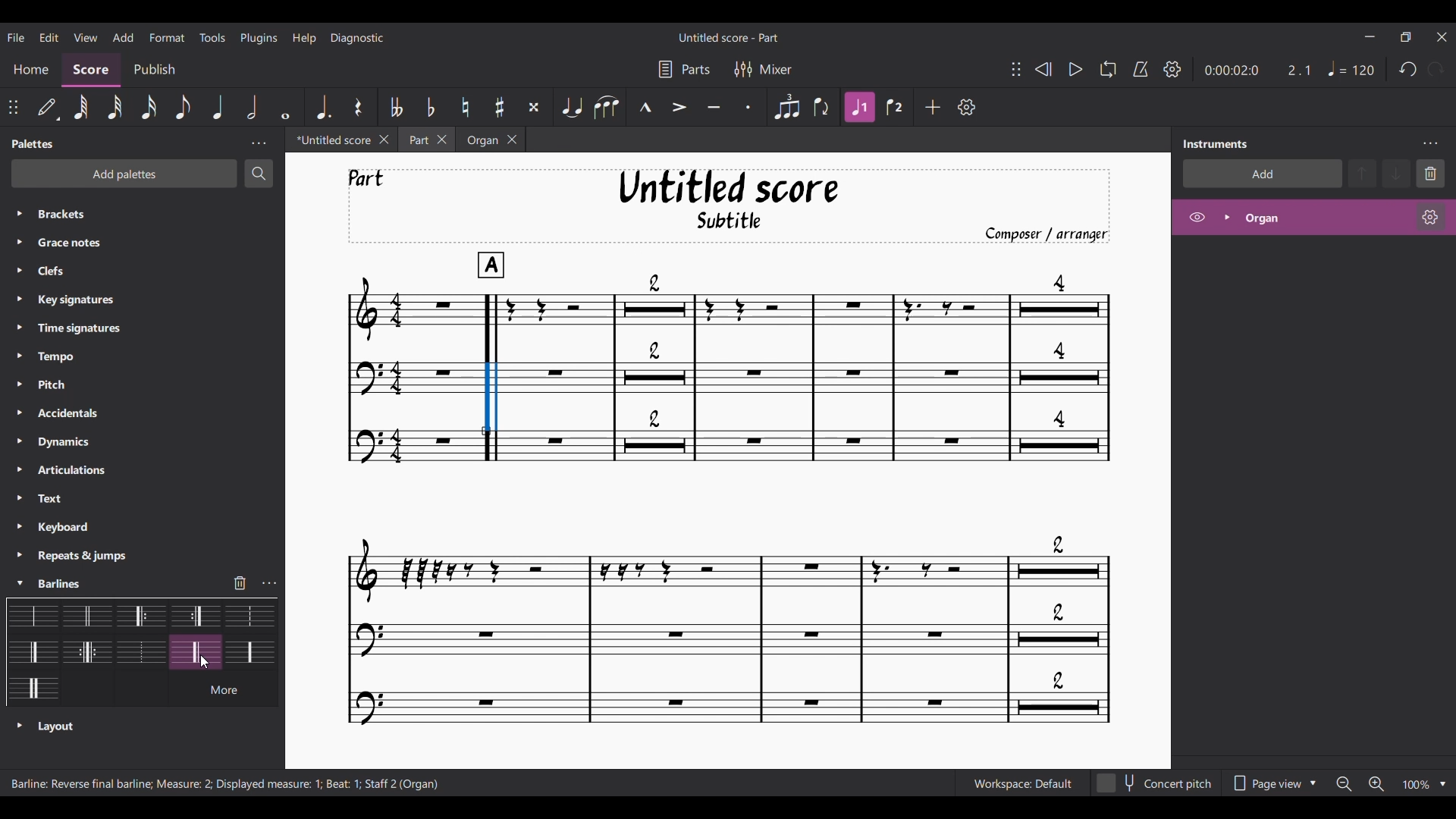  Describe the element at coordinates (48, 108) in the screenshot. I see `Default` at that location.